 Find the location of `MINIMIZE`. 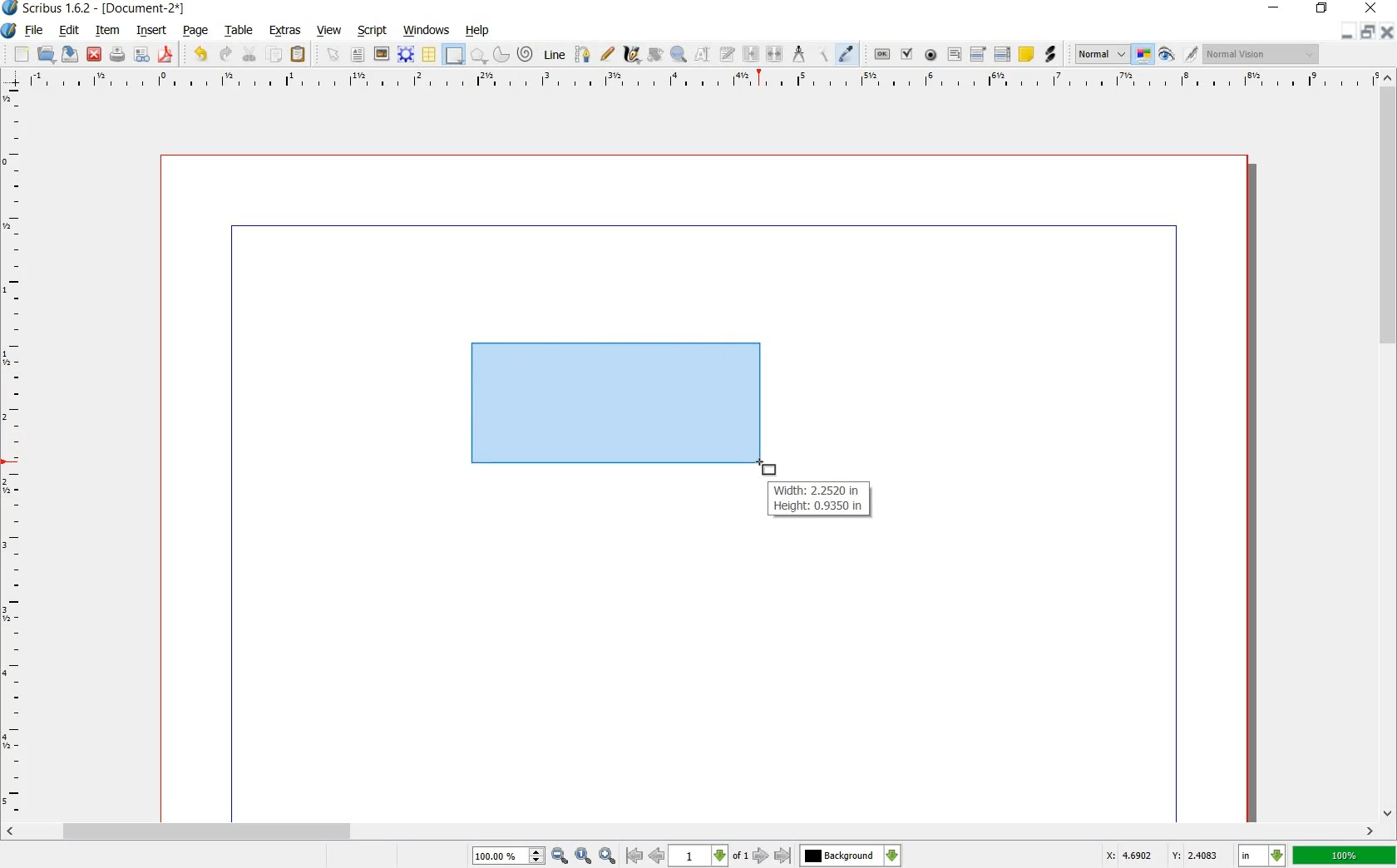

MINIMIZE is located at coordinates (1272, 8).